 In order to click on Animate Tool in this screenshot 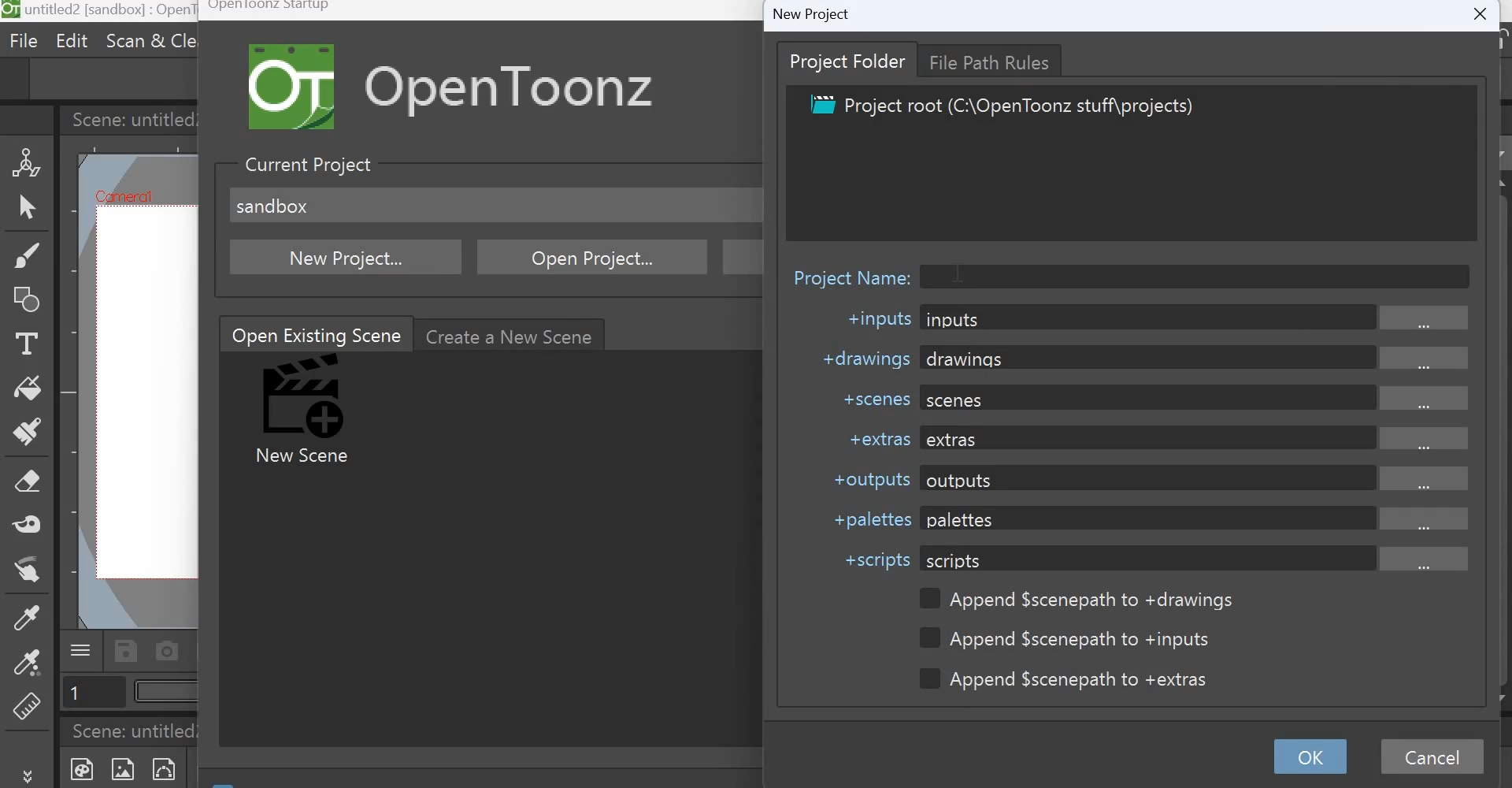, I will do `click(28, 161)`.